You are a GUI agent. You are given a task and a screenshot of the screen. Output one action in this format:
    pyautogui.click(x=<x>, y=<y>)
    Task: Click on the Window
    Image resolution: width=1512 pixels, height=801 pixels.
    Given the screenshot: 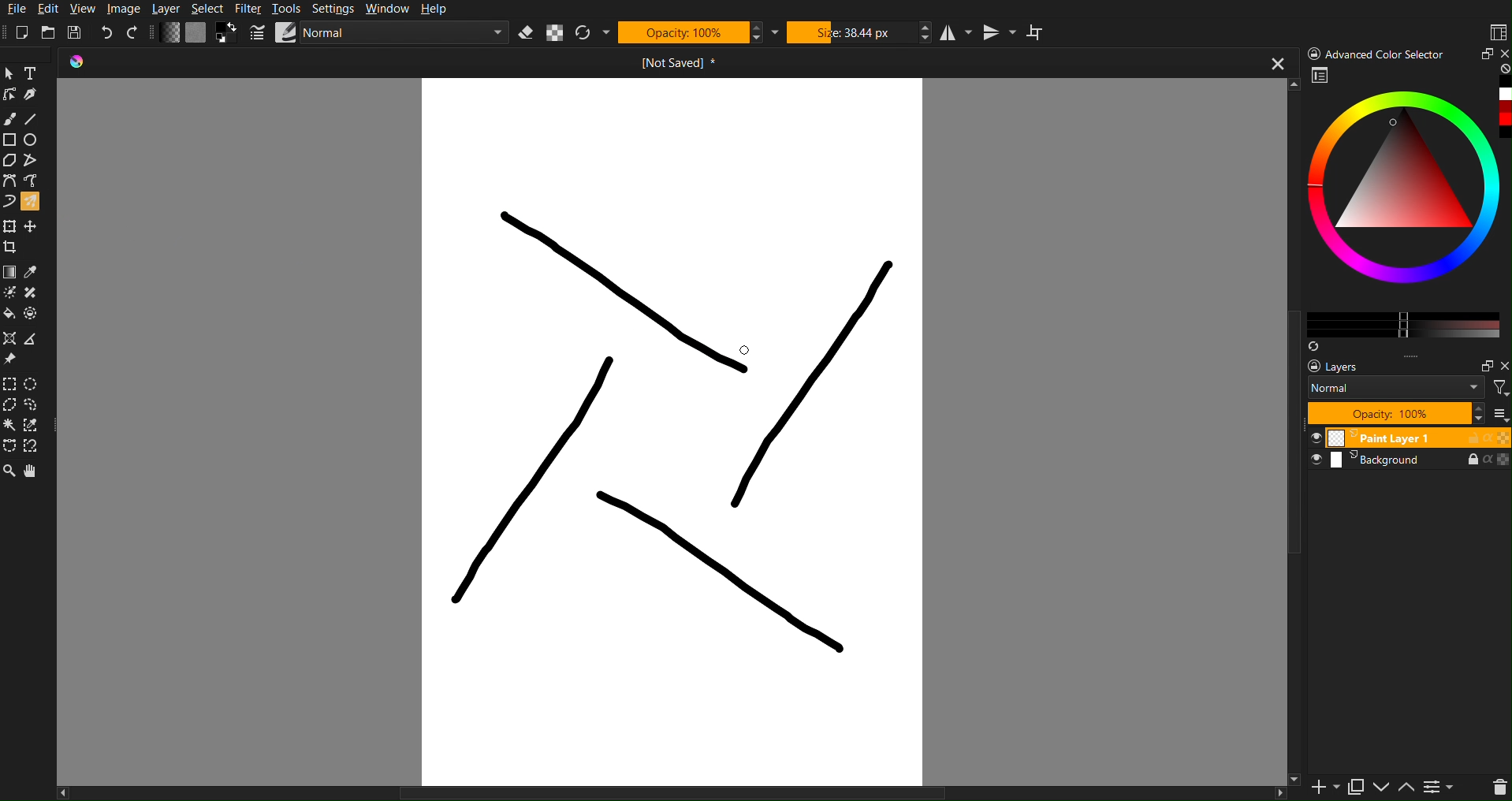 What is the action you would take?
    pyautogui.click(x=391, y=9)
    